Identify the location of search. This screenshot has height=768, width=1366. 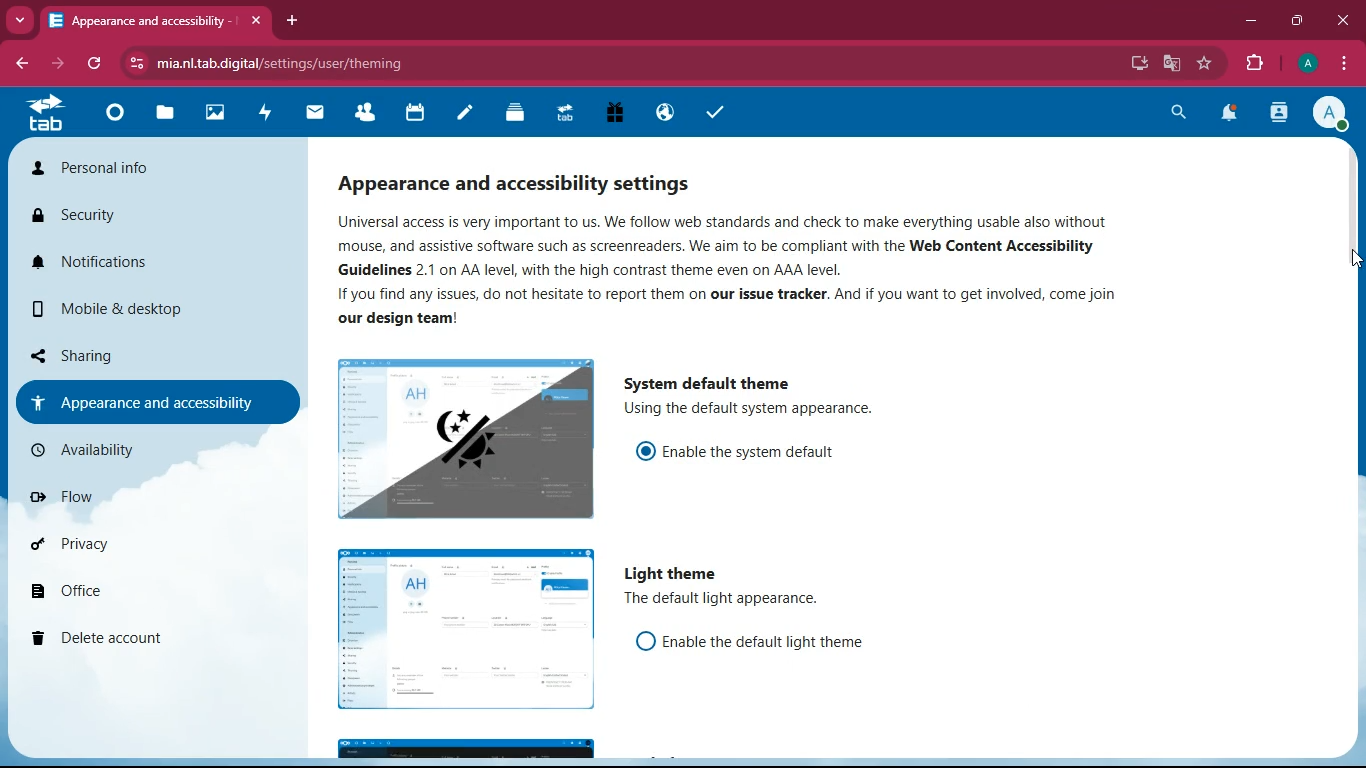
(1181, 112).